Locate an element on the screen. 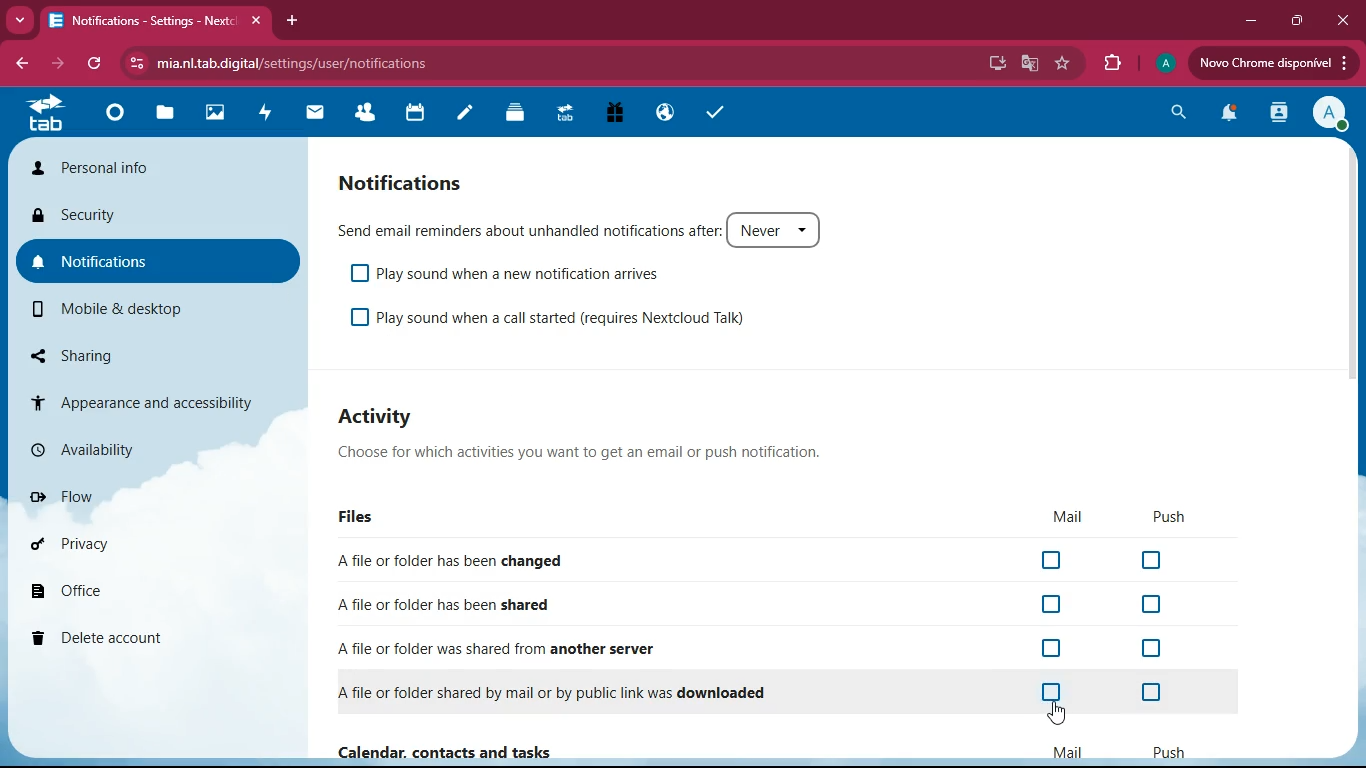  delete is located at coordinates (122, 639).